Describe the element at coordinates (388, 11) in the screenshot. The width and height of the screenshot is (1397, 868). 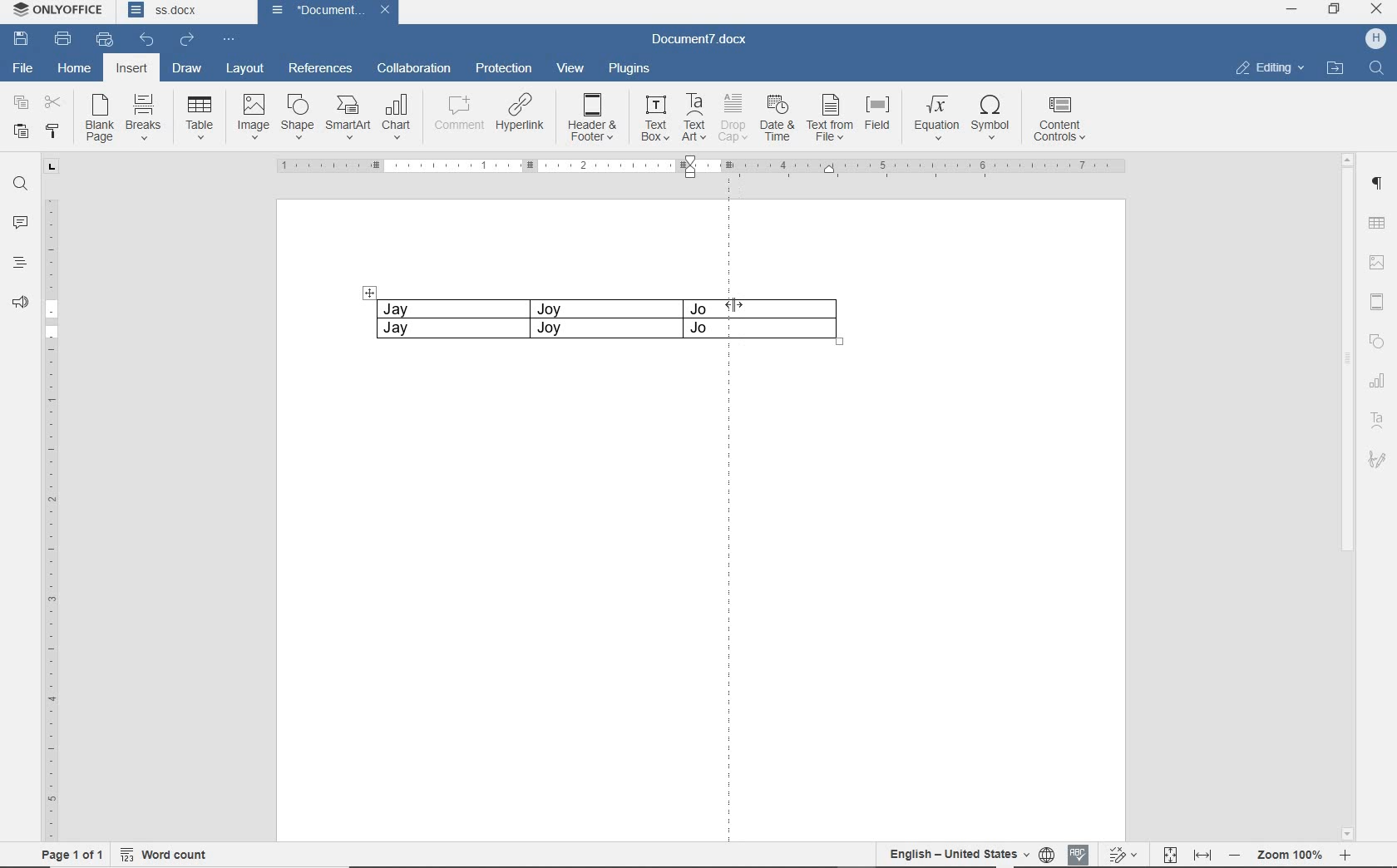
I see `close` at that location.